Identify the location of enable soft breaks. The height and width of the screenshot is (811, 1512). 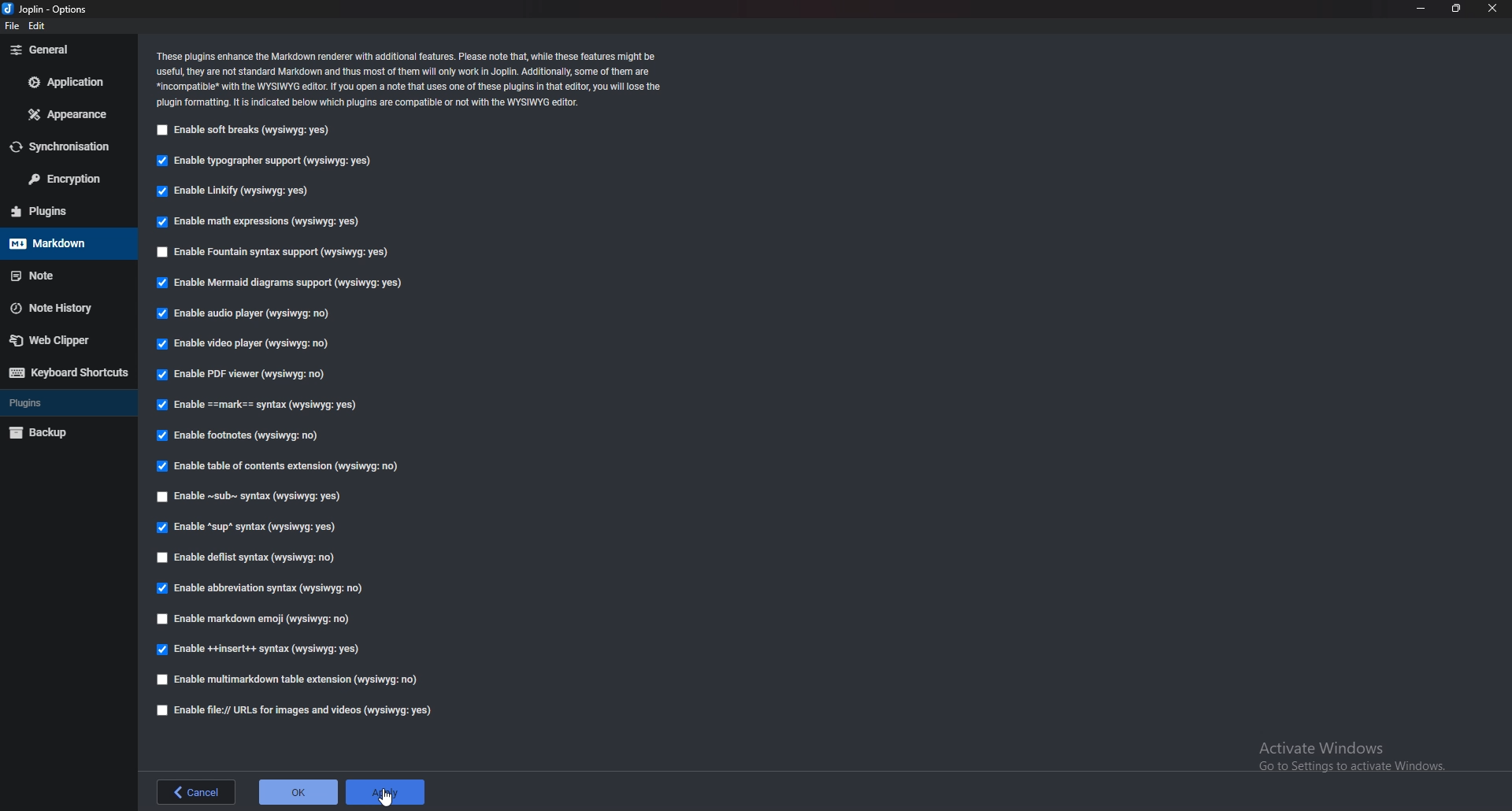
(244, 130).